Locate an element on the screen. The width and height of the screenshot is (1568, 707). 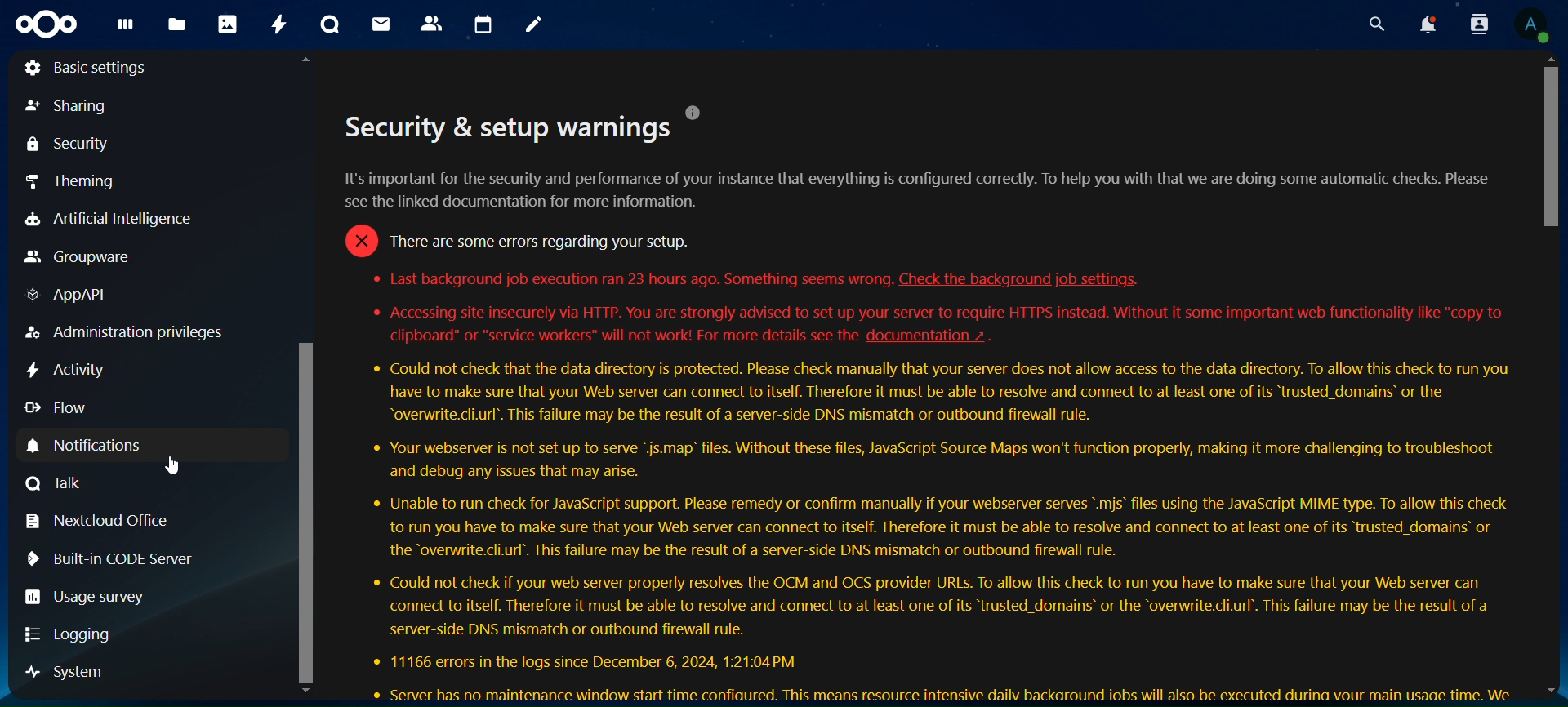
sharing is located at coordinates (68, 106).